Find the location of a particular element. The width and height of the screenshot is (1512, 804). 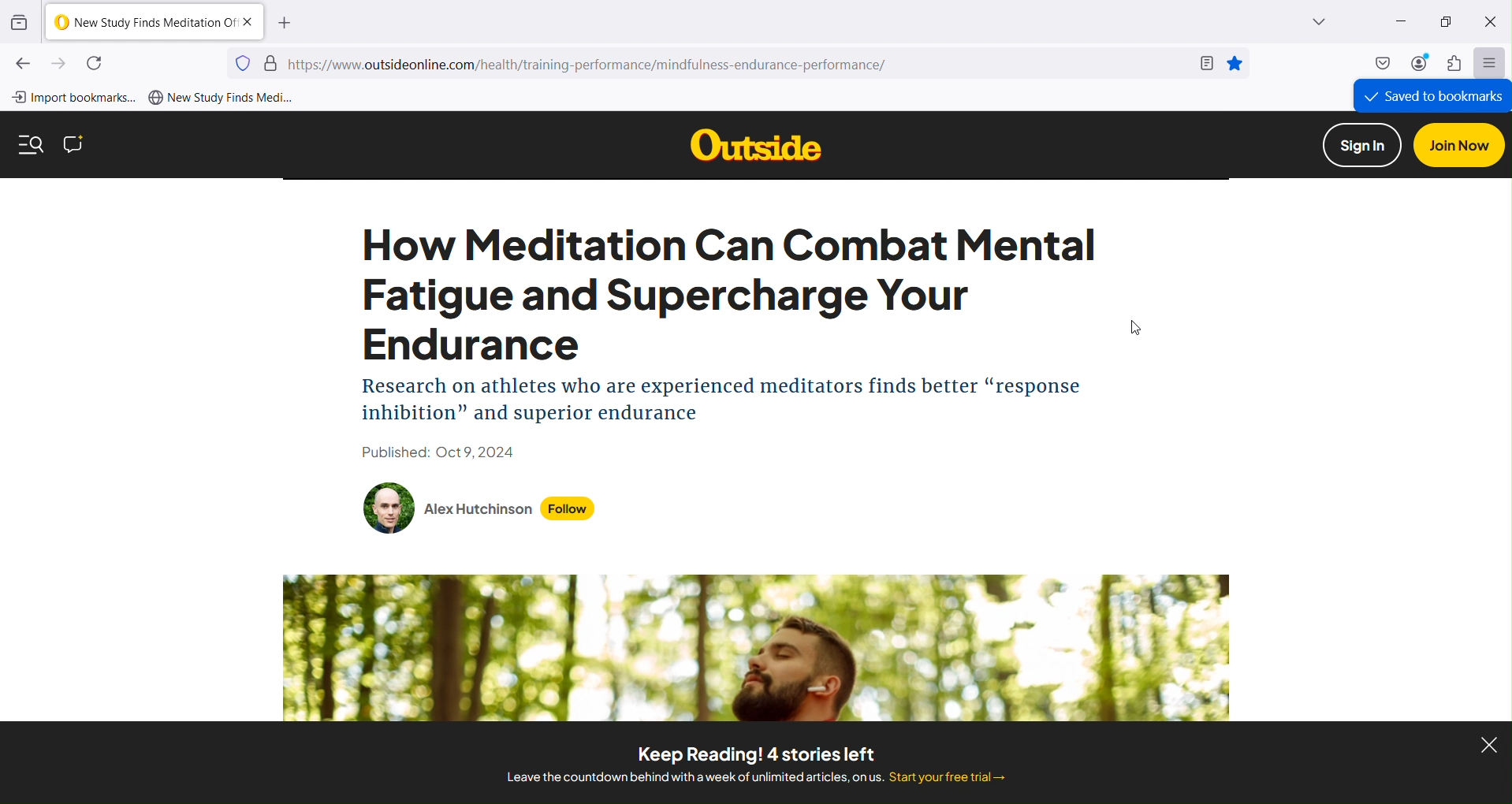

Import bookmarks from another browser to Firefox is located at coordinates (73, 98).